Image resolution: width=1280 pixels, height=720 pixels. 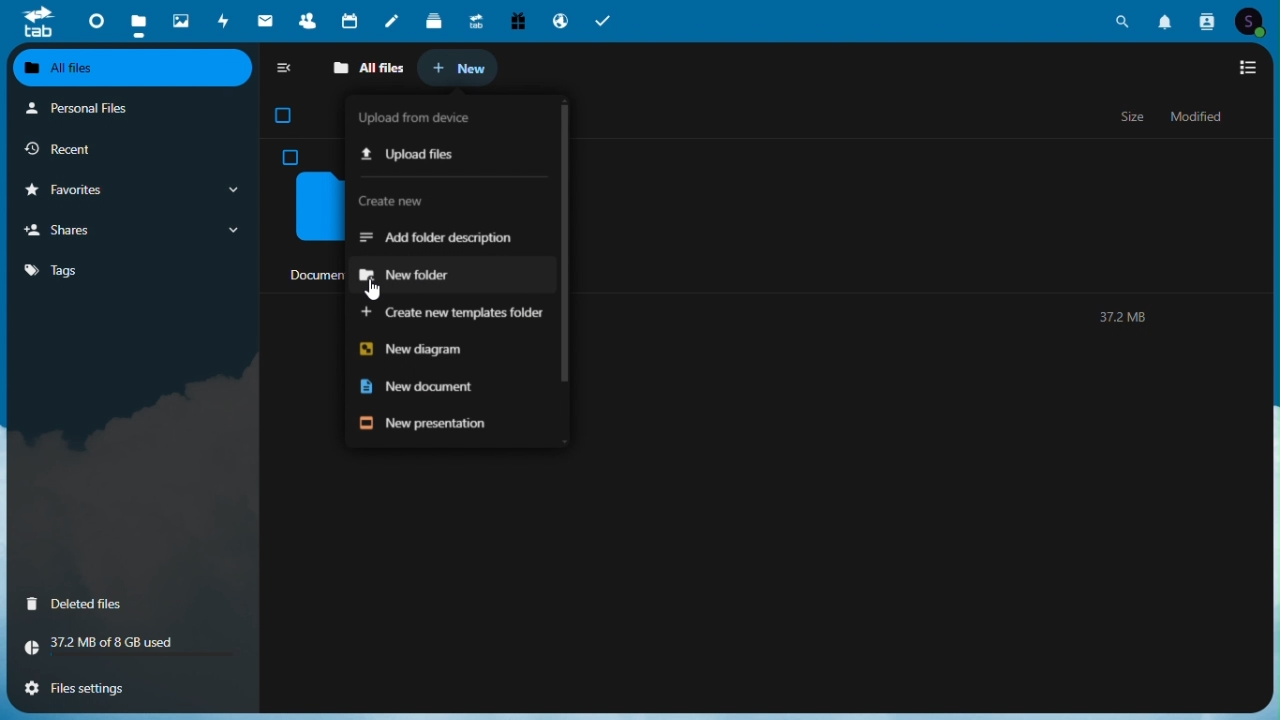 What do you see at coordinates (520, 19) in the screenshot?
I see `Free trial` at bounding box center [520, 19].